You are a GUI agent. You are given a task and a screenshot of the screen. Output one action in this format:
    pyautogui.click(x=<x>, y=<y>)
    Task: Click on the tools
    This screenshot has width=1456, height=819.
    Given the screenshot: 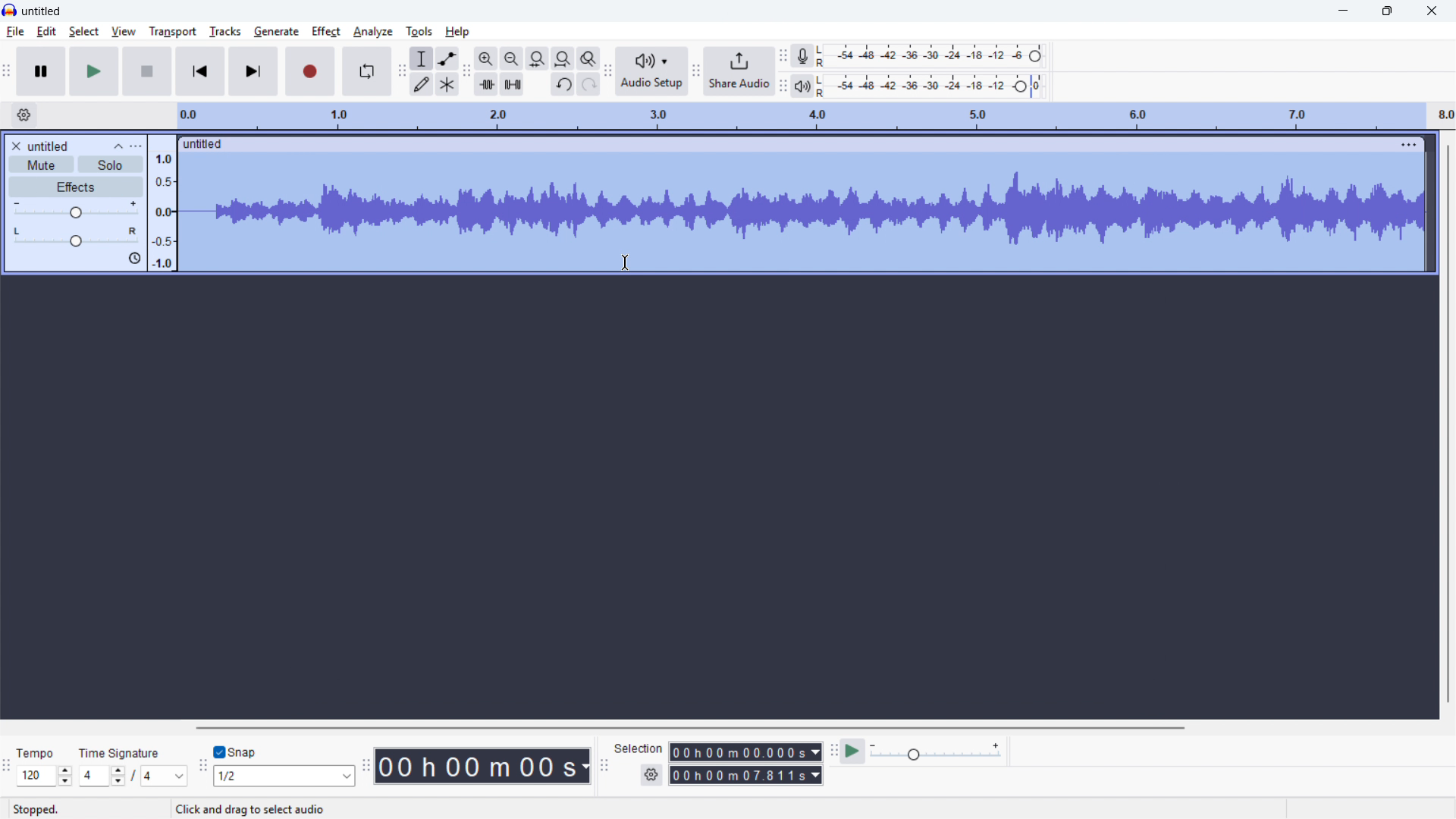 What is the action you would take?
    pyautogui.click(x=419, y=30)
    